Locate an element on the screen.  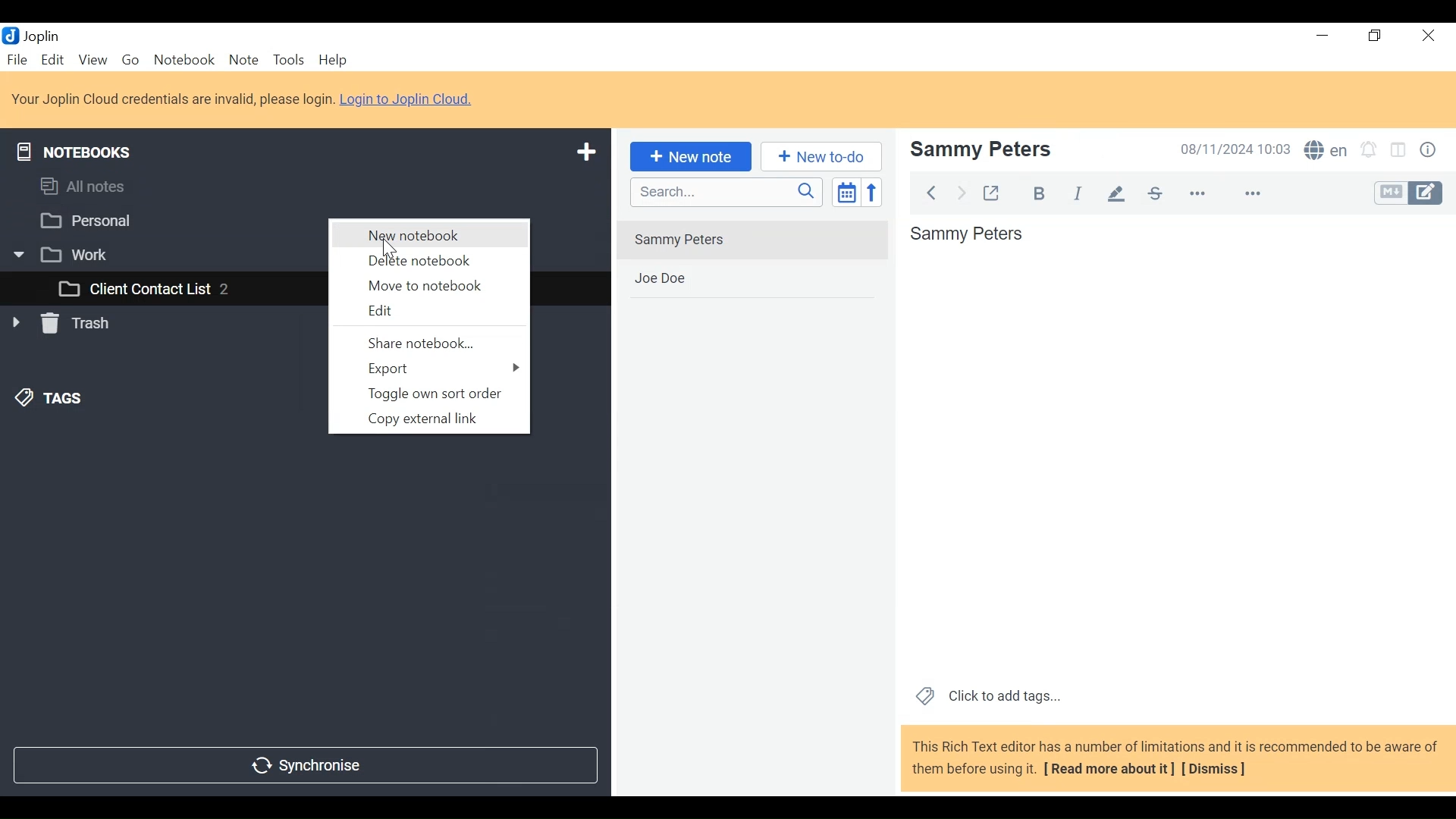
Share notebook is located at coordinates (428, 340).